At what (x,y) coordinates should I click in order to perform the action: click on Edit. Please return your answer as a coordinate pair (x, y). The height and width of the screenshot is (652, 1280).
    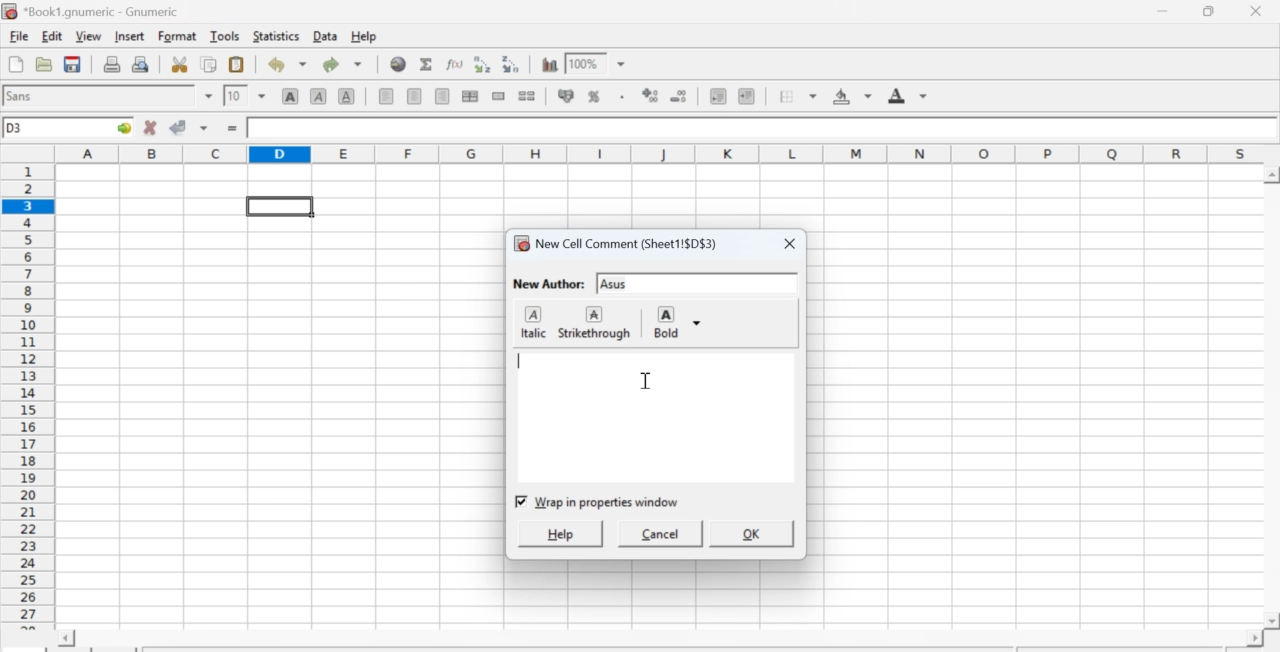
    Looking at the image, I should click on (53, 35).